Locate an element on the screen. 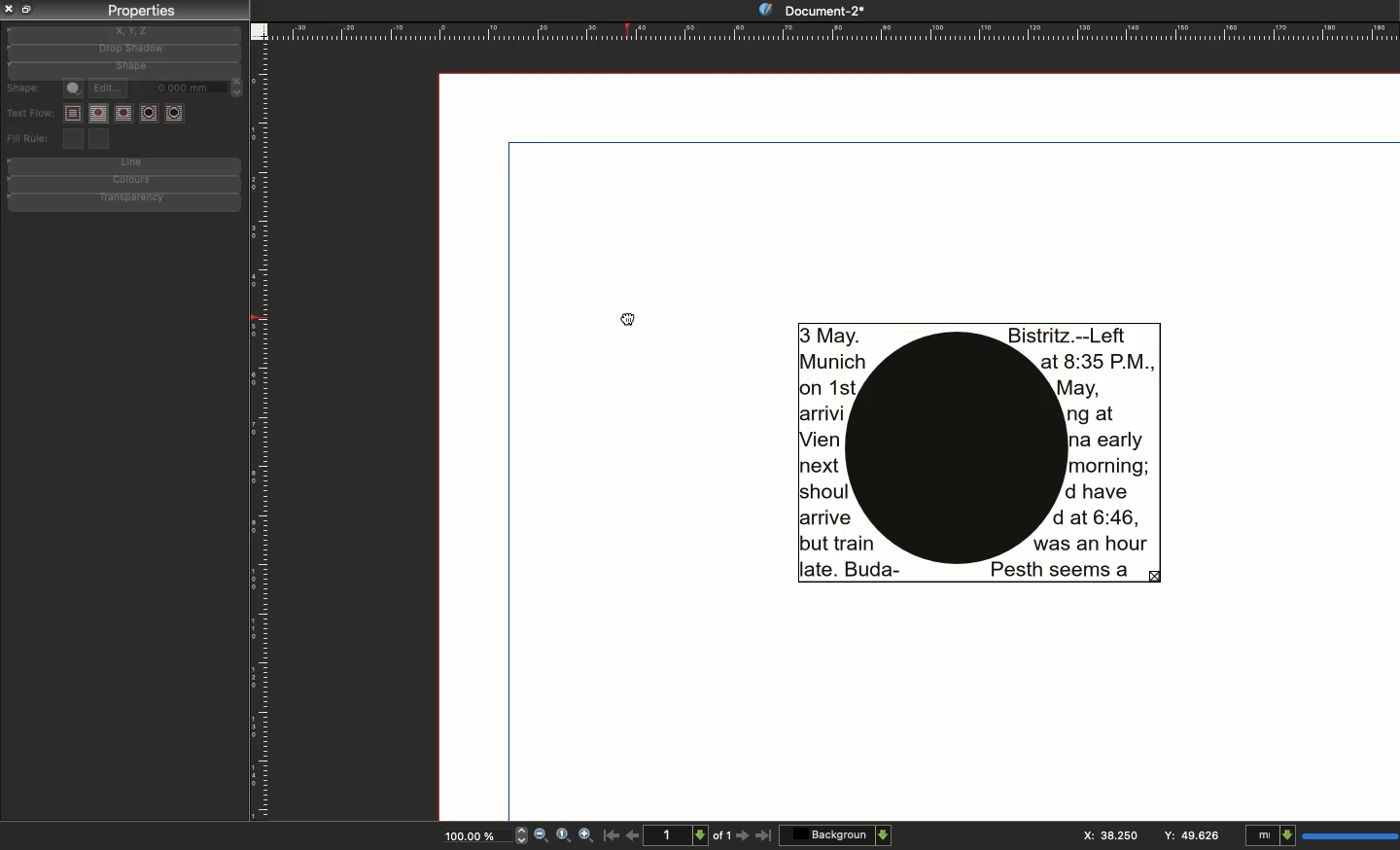  Text wrapped around shape is located at coordinates (980, 450).